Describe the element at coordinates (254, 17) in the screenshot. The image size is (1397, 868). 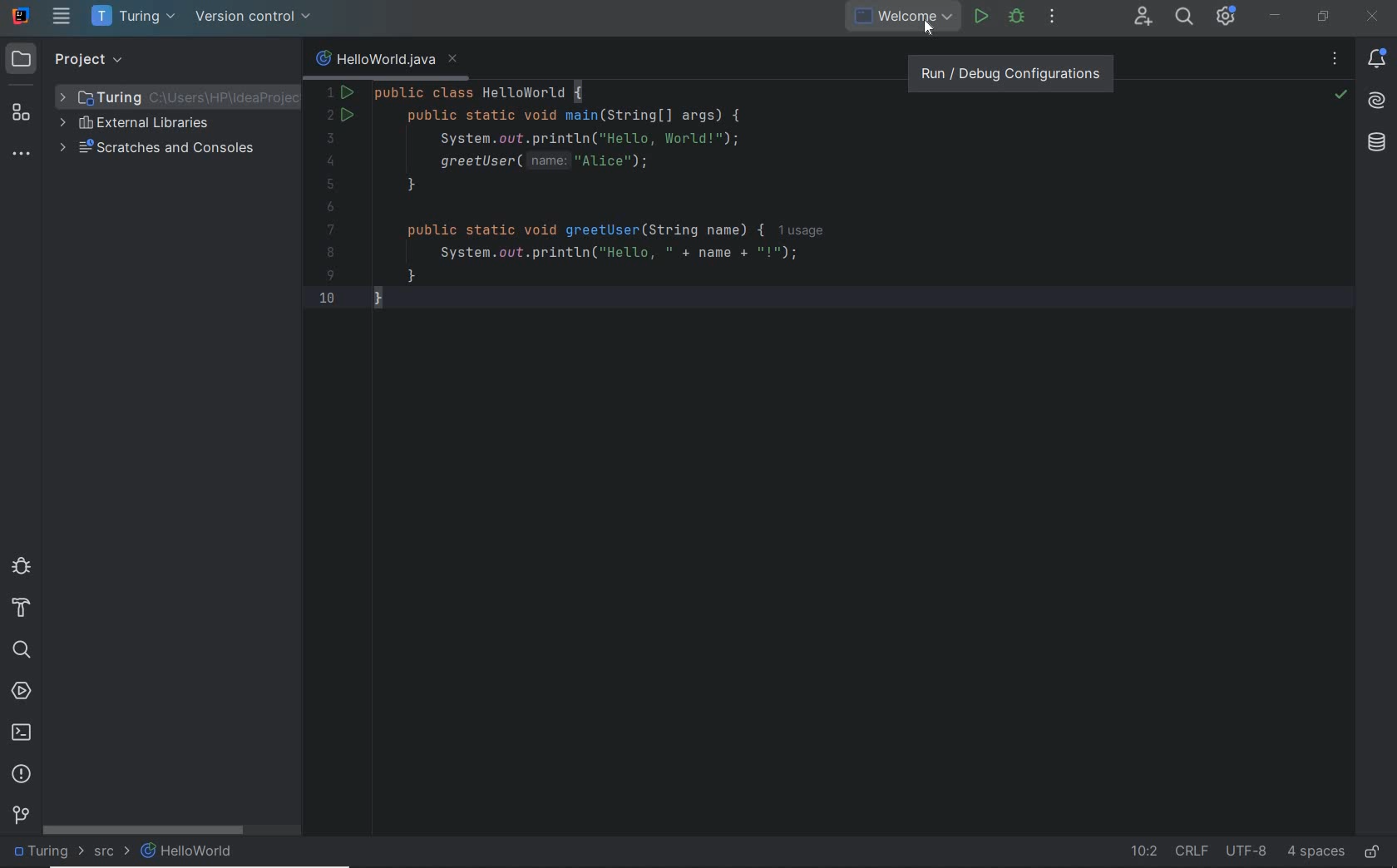
I see `version control` at that location.